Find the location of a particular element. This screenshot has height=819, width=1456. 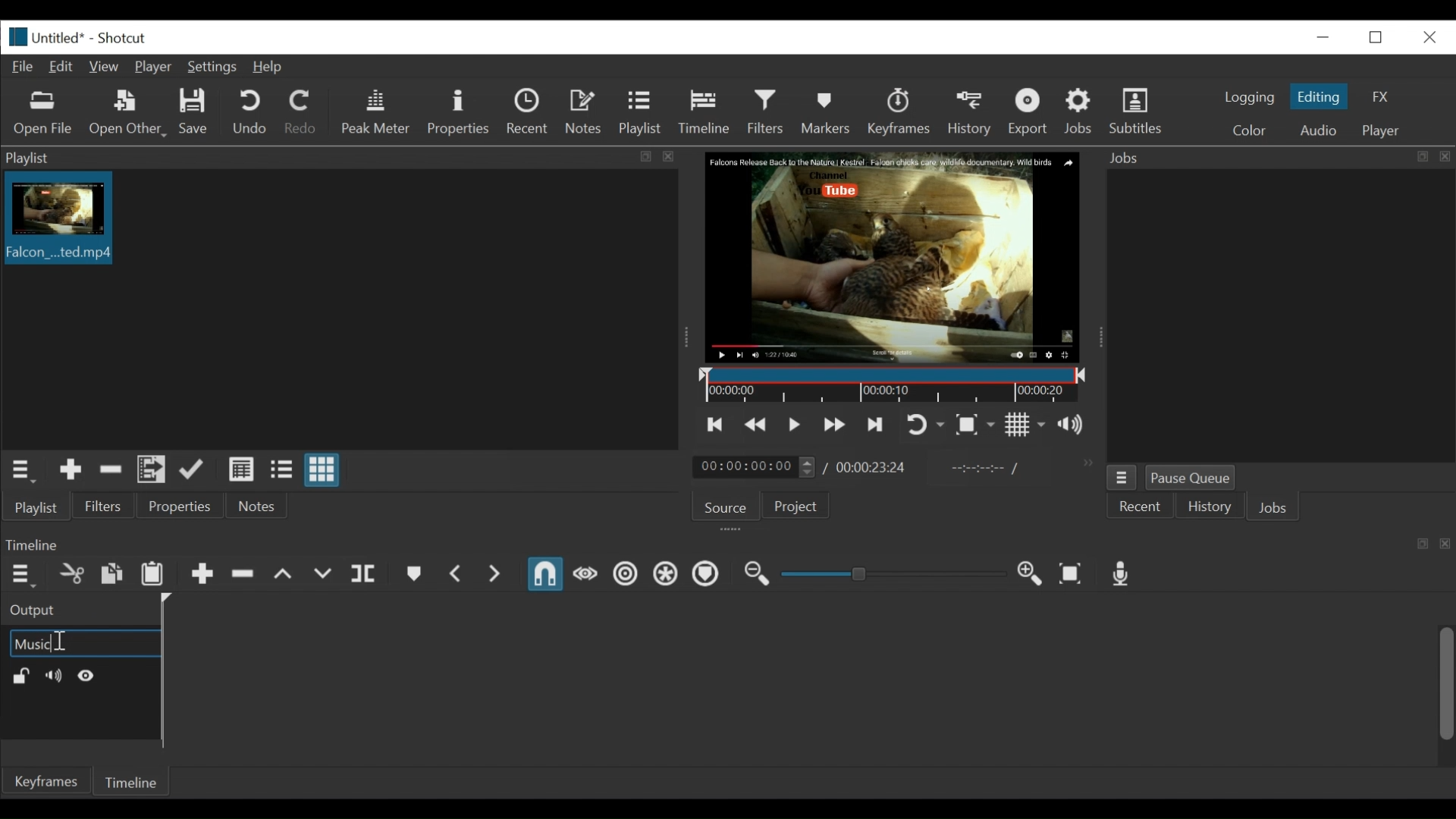

Properties is located at coordinates (458, 111).